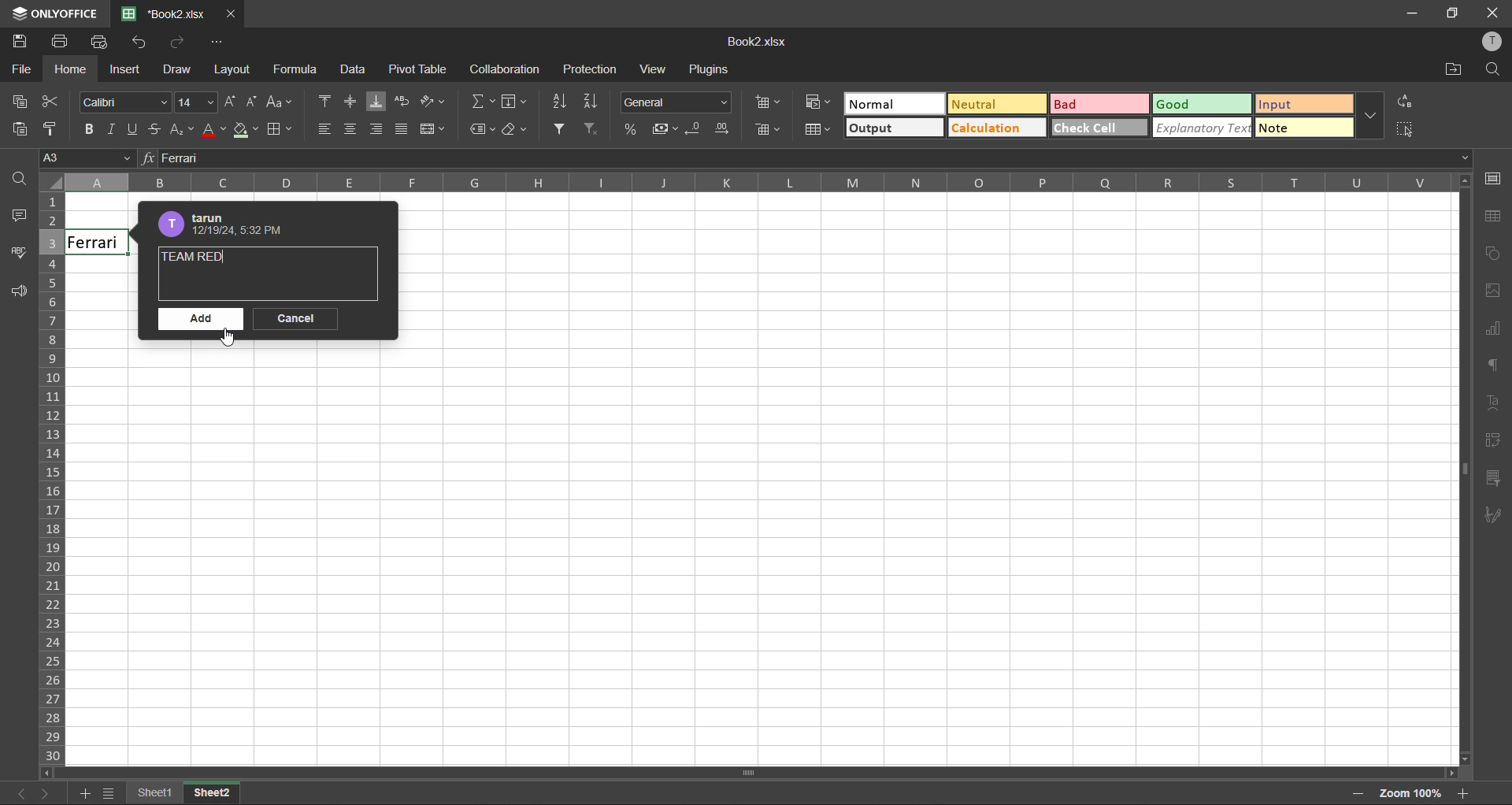 This screenshot has height=805, width=1512. What do you see at coordinates (1466, 792) in the screenshot?
I see `zoom in` at bounding box center [1466, 792].